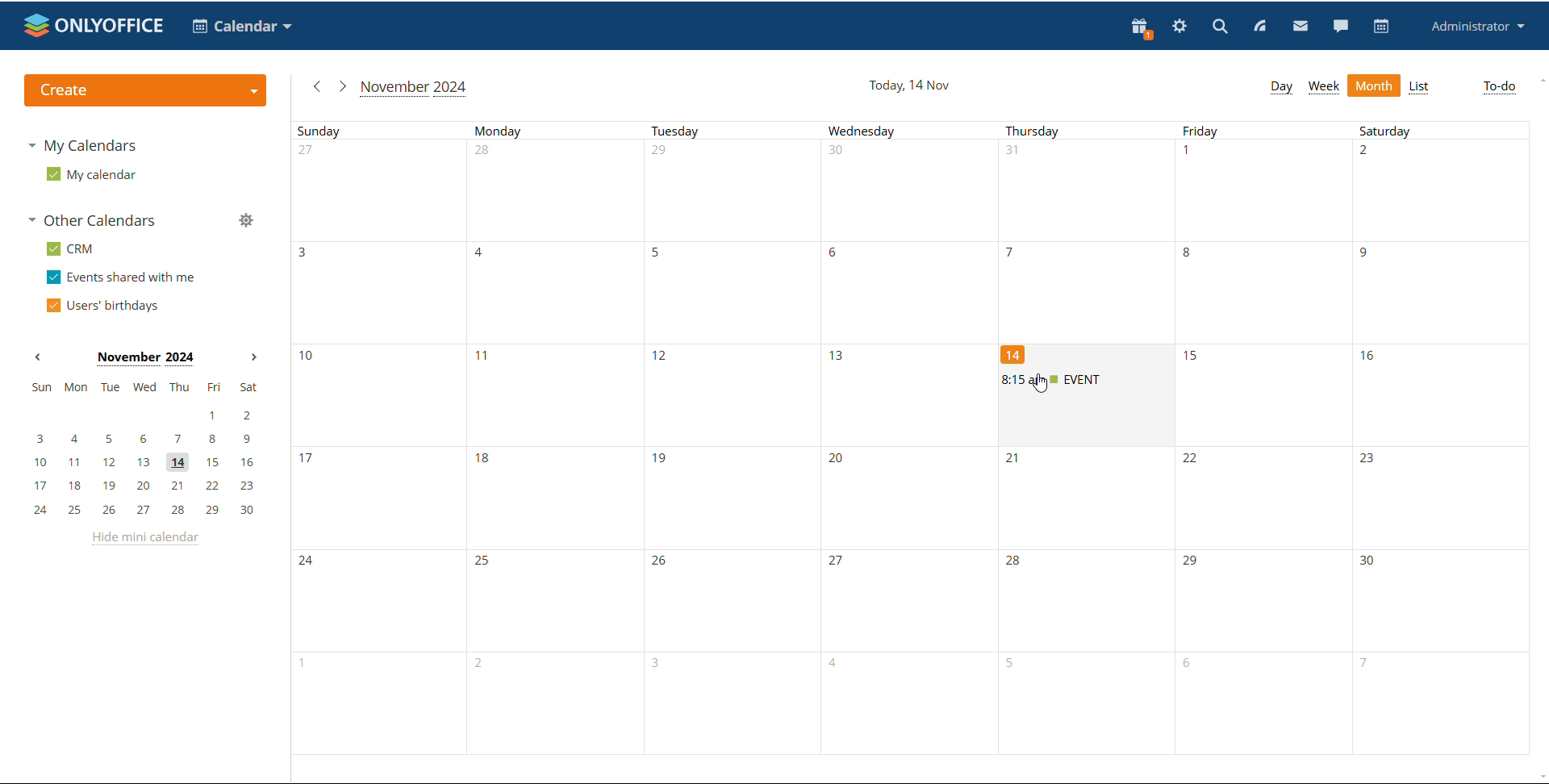  I want to click on 1, 2, 3, 4, 5, 6, 7, so click(898, 705).